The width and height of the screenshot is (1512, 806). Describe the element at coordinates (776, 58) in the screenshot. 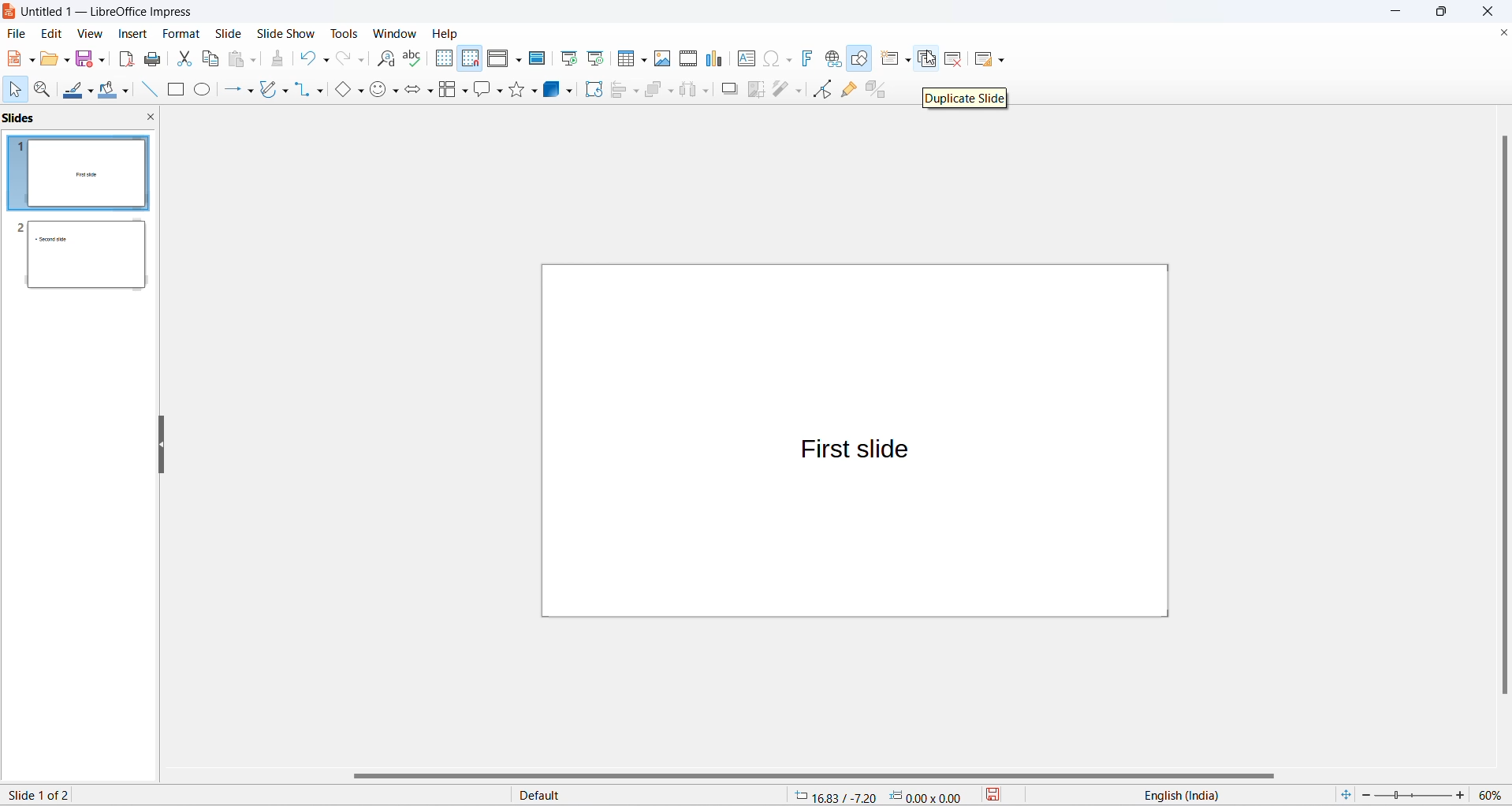

I see `insert special characters` at that location.